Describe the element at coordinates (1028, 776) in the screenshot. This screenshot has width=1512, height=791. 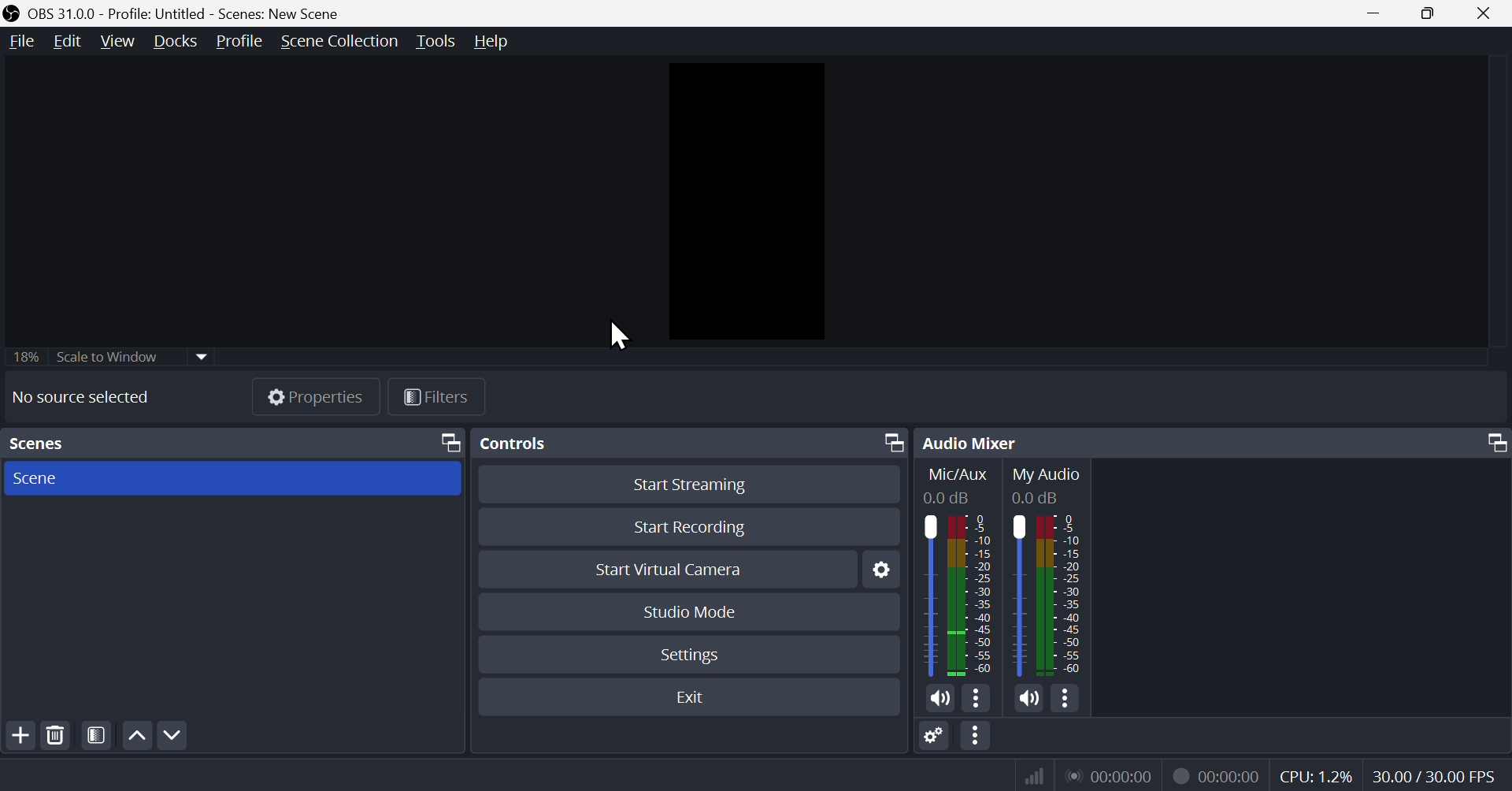
I see `signals` at that location.